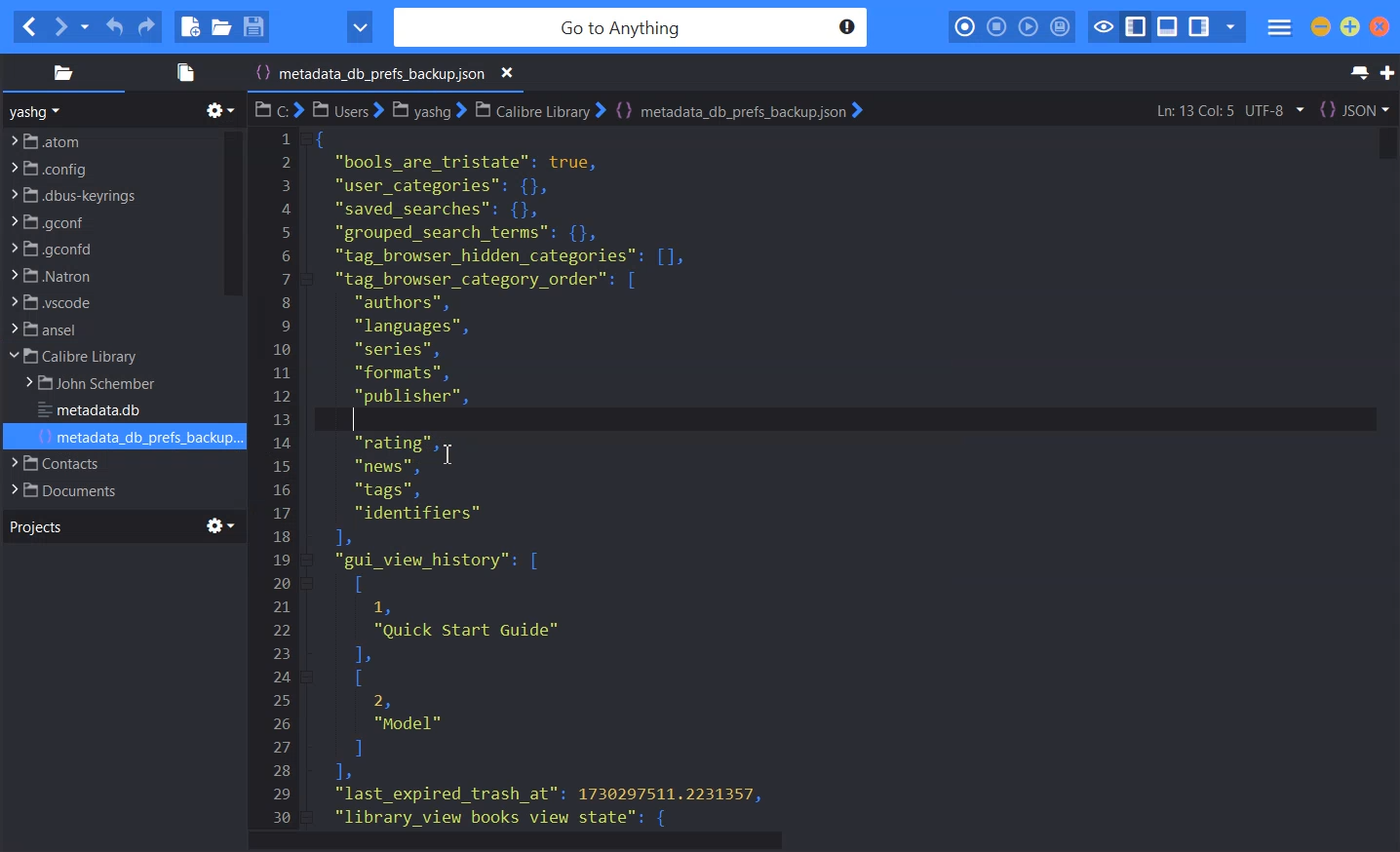 The width and height of the screenshot is (1400, 852). What do you see at coordinates (966, 27) in the screenshot?
I see `Record Macro` at bounding box center [966, 27].